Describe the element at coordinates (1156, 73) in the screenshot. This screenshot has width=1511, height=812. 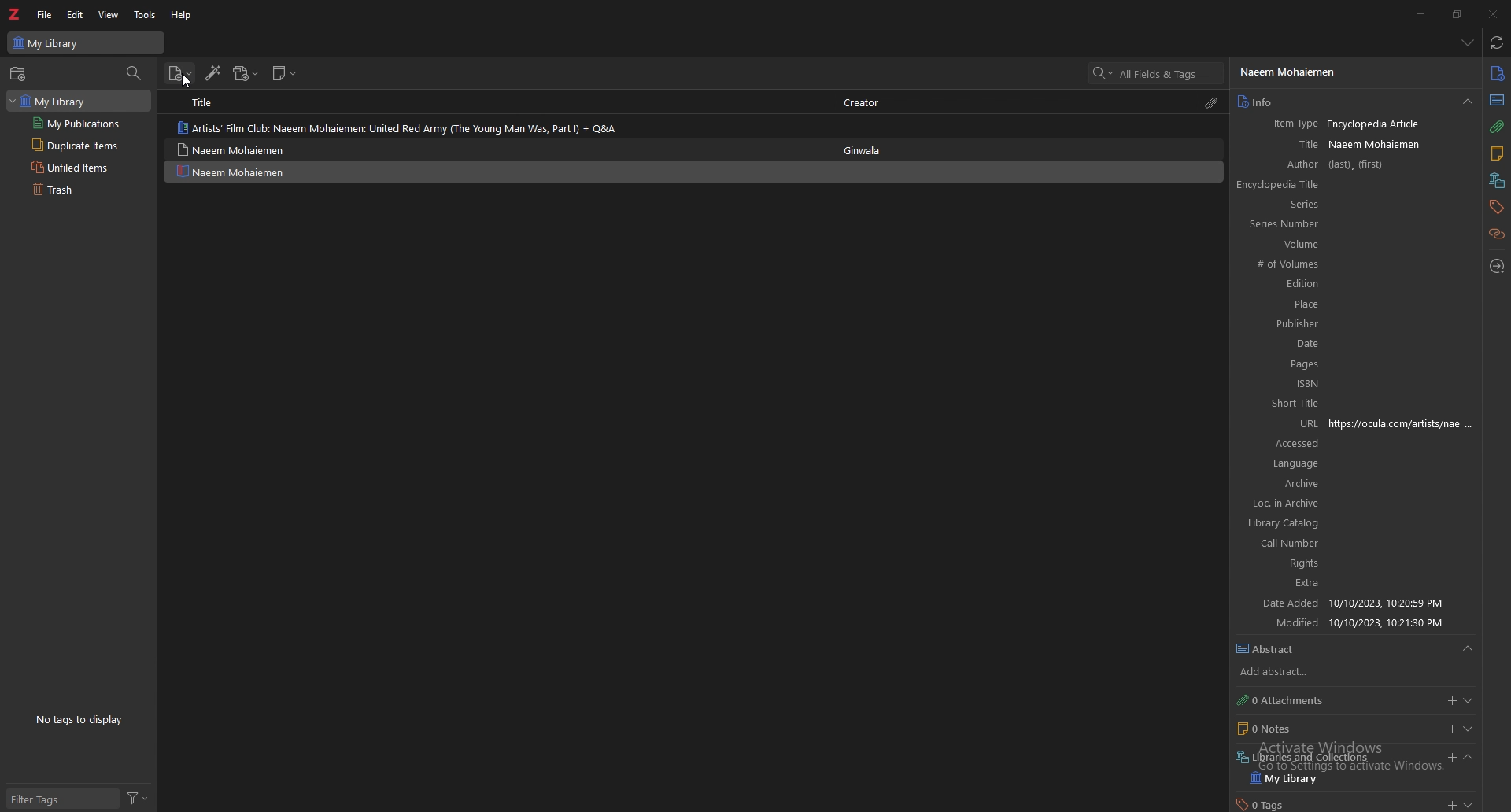
I see `search bar` at that location.